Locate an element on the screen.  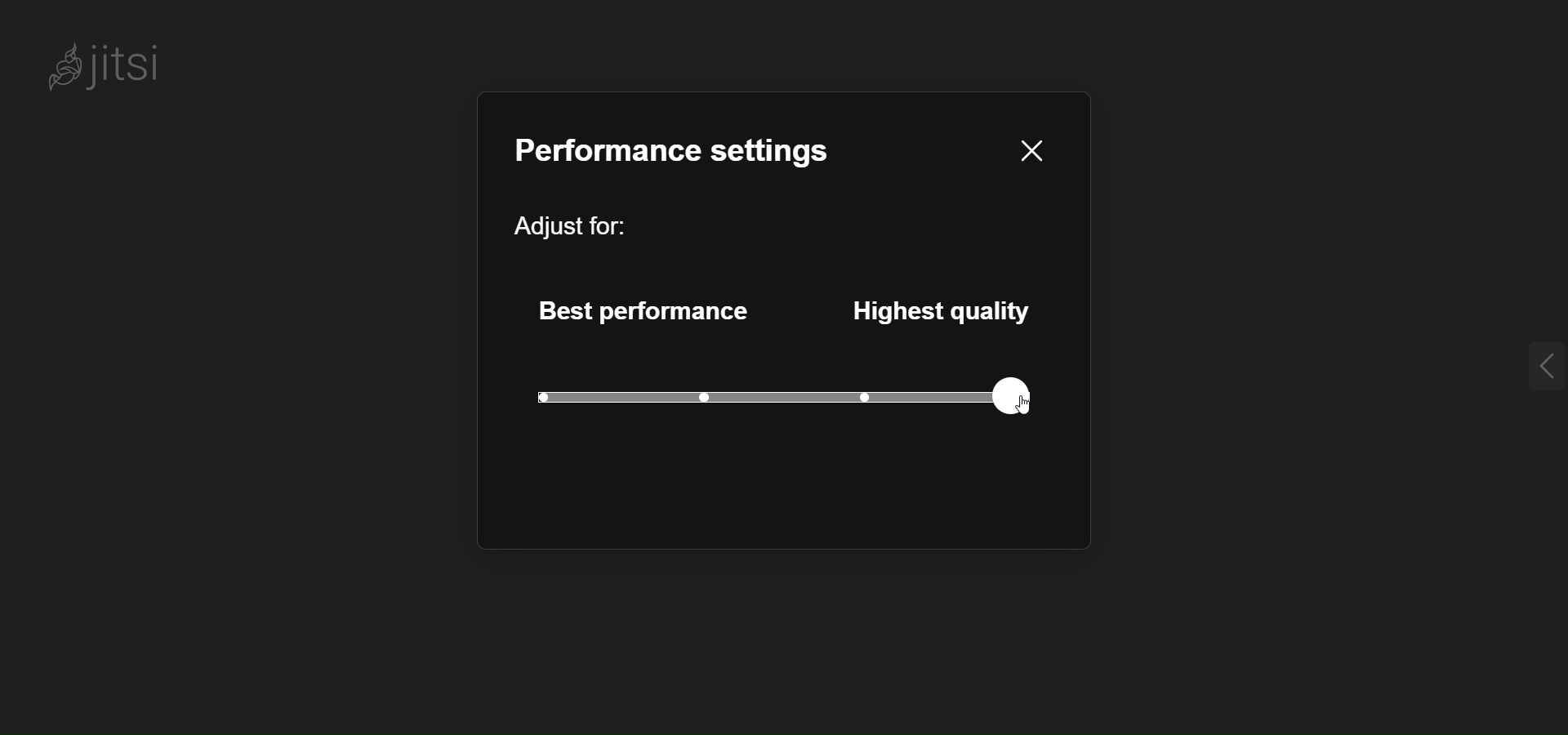
adjust for is located at coordinates (569, 220).